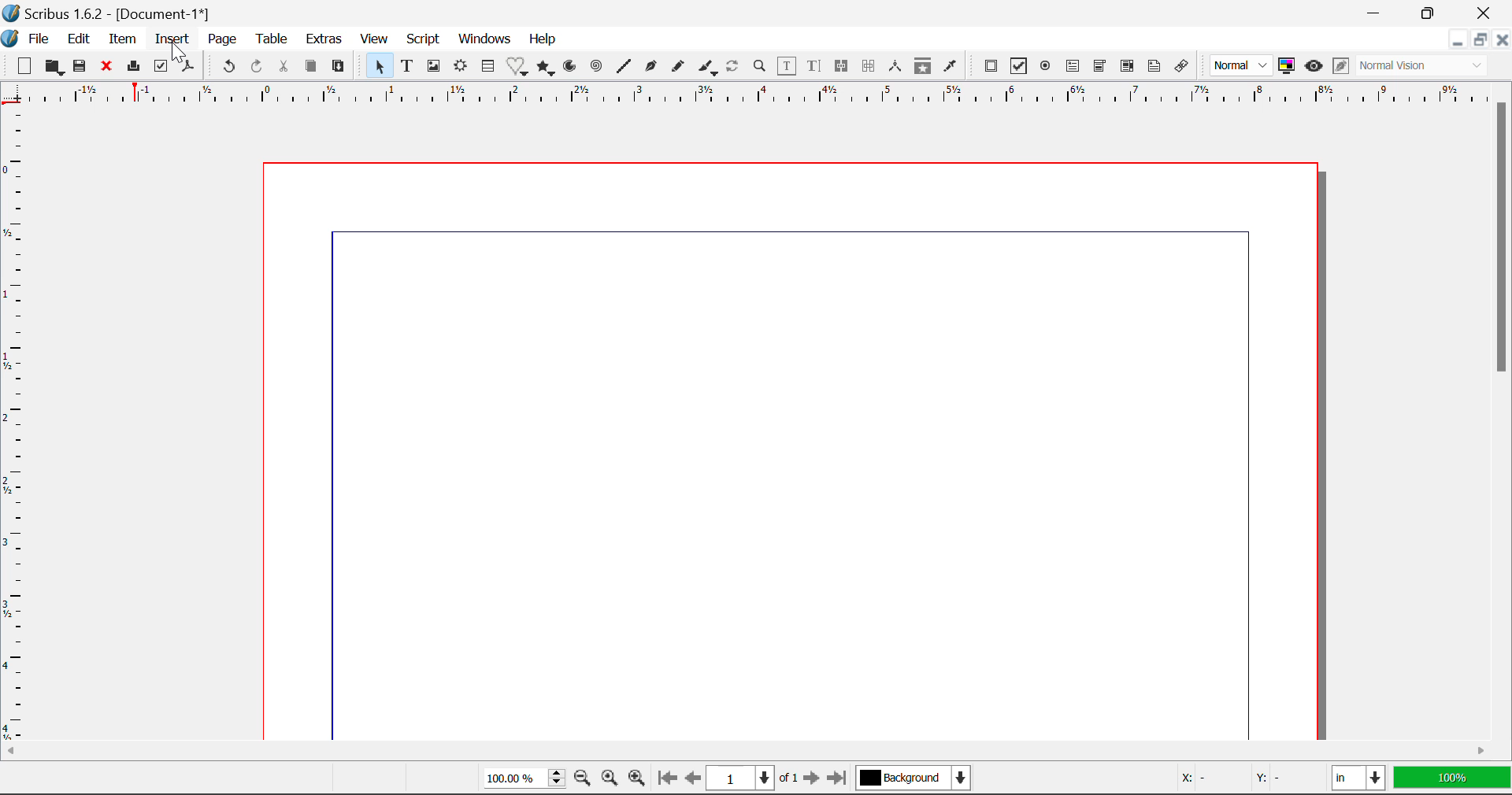 This screenshot has height=795, width=1512. What do you see at coordinates (694, 779) in the screenshot?
I see `Previous` at bounding box center [694, 779].